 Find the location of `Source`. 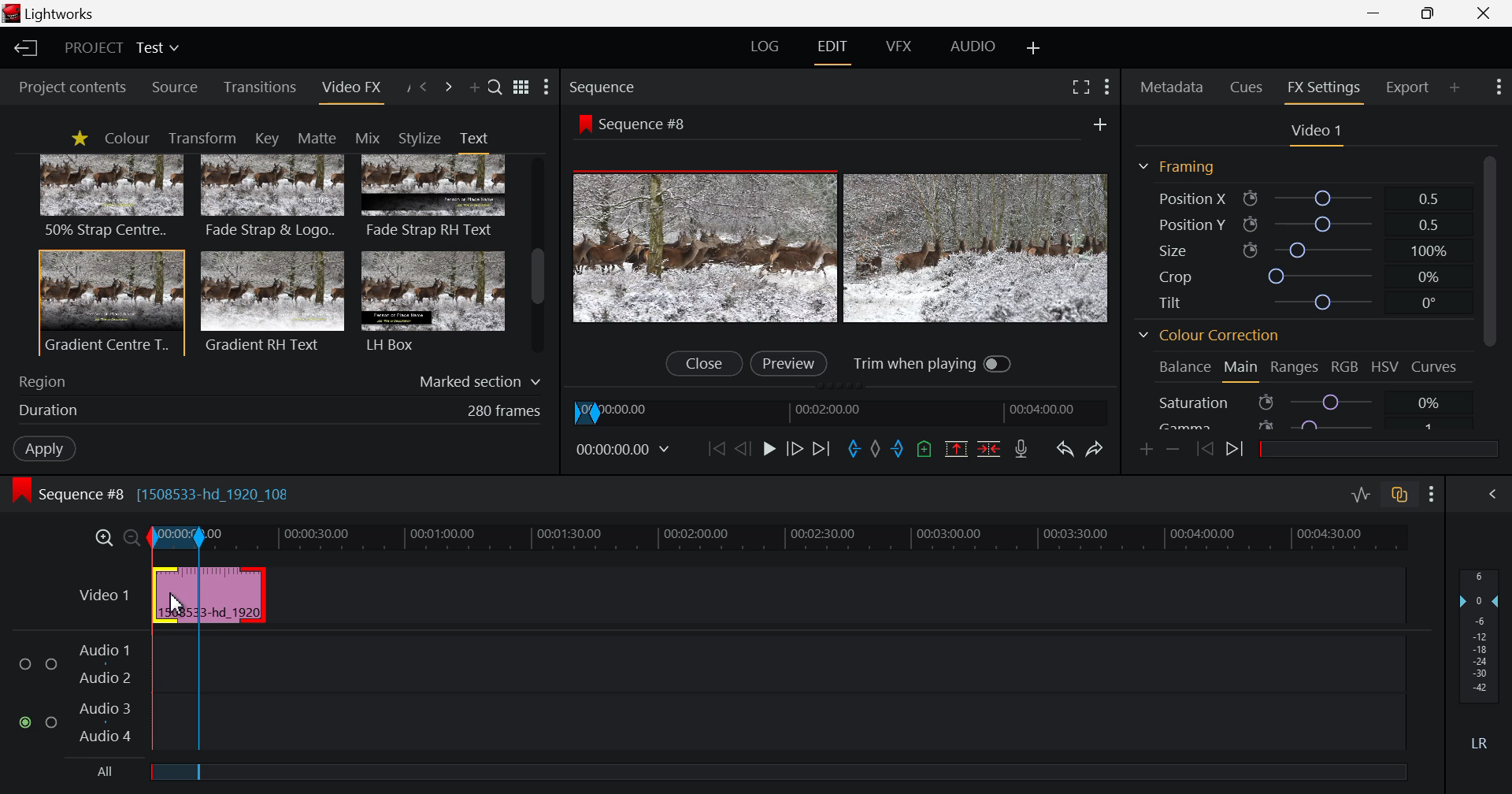

Source is located at coordinates (175, 88).